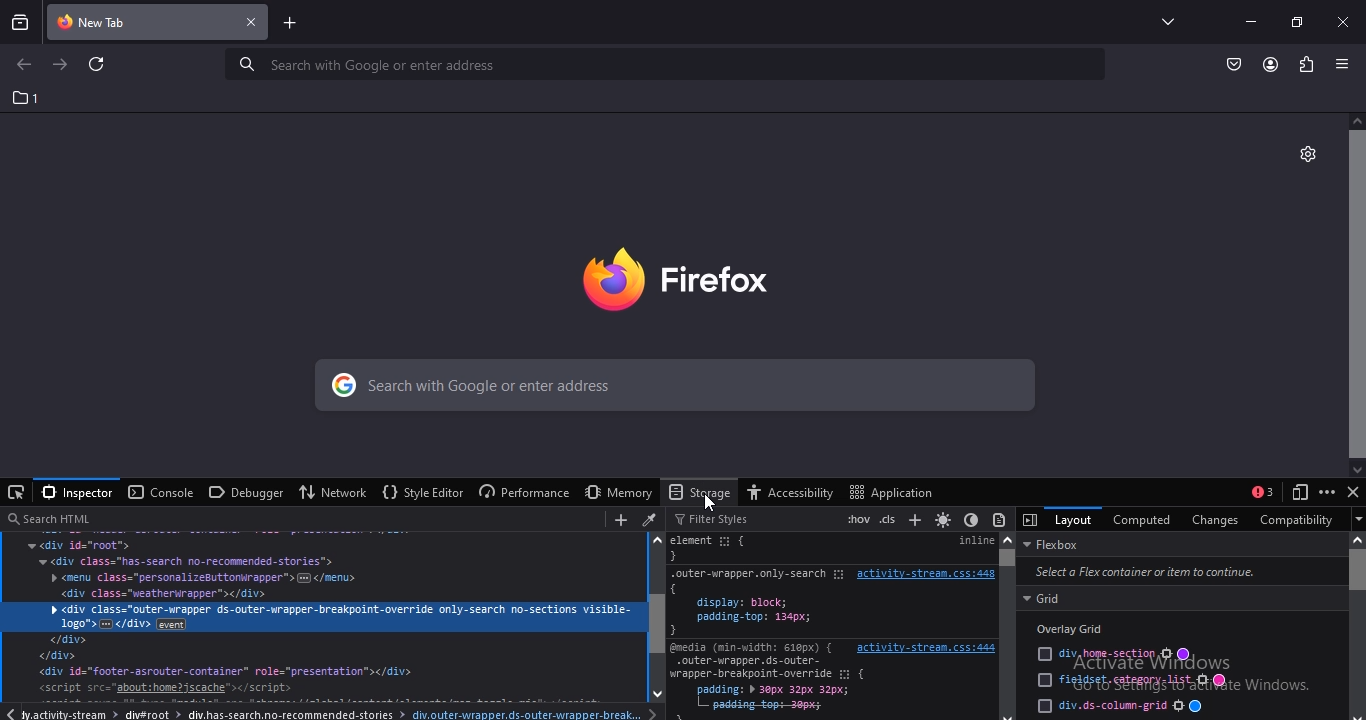  What do you see at coordinates (23, 65) in the screenshot?
I see `click to go to previous page` at bounding box center [23, 65].